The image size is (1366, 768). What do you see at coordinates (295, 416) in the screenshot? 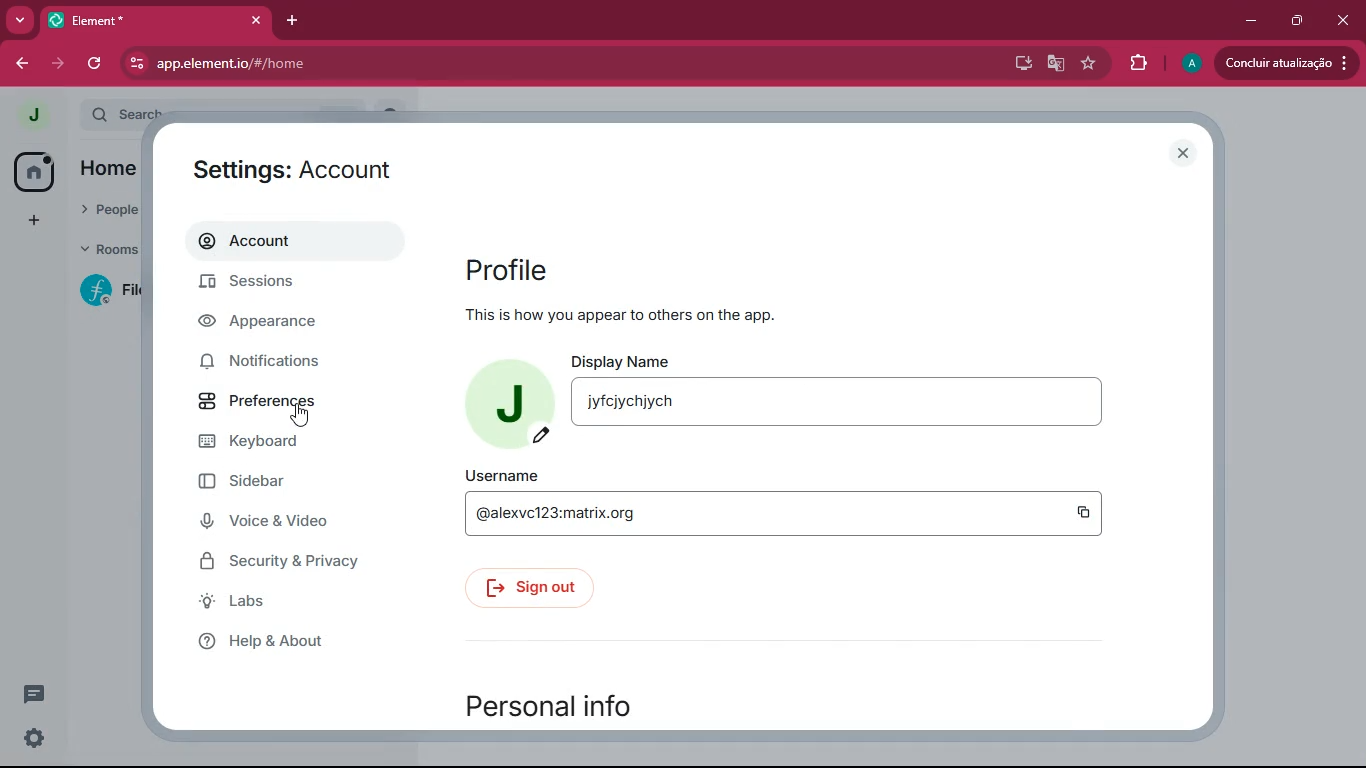
I see `cursor` at bounding box center [295, 416].